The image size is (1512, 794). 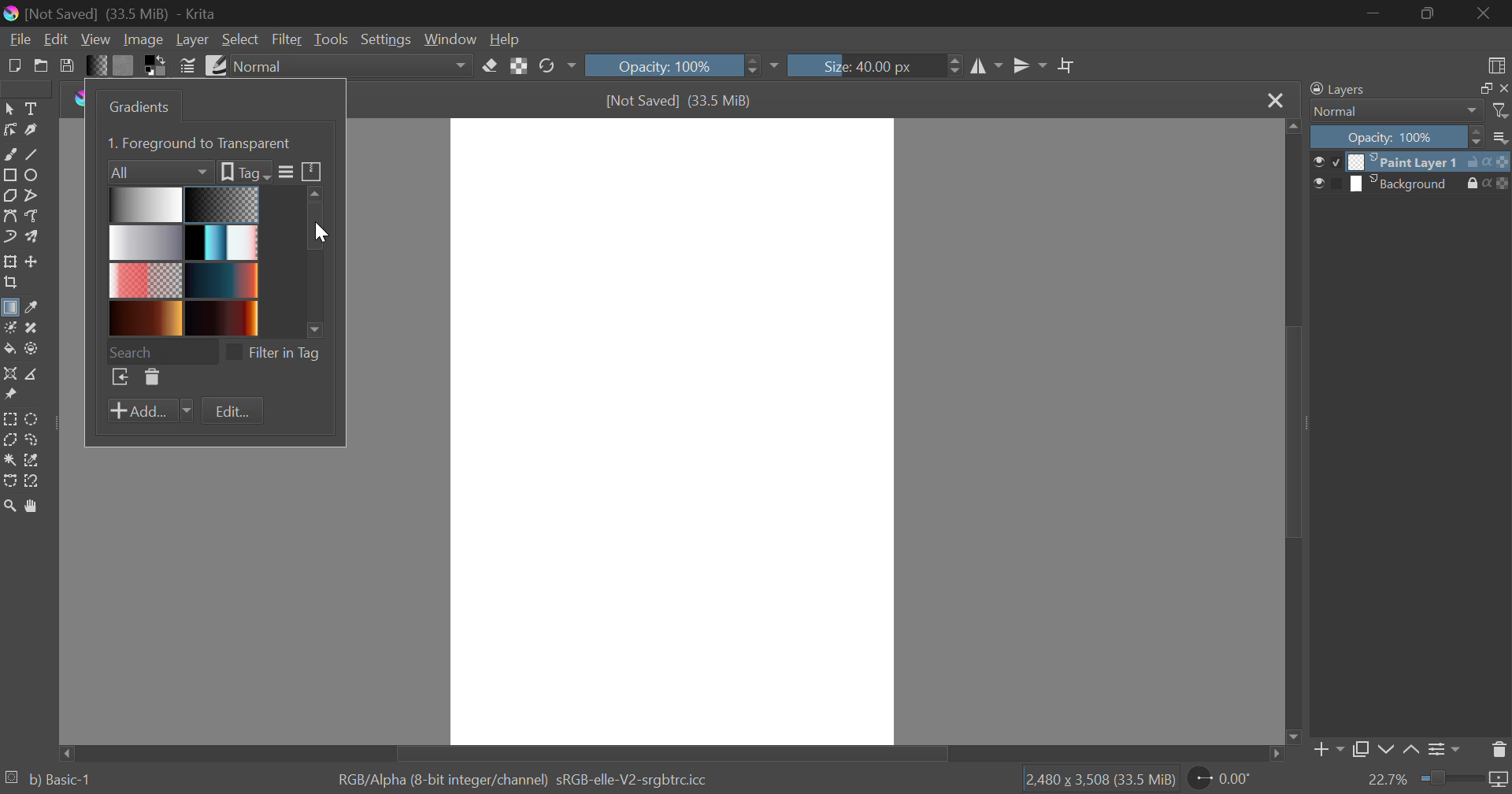 What do you see at coordinates (1229, 777) in the screenshot?
I see `0.00°` at bounding box center [1229, 777].